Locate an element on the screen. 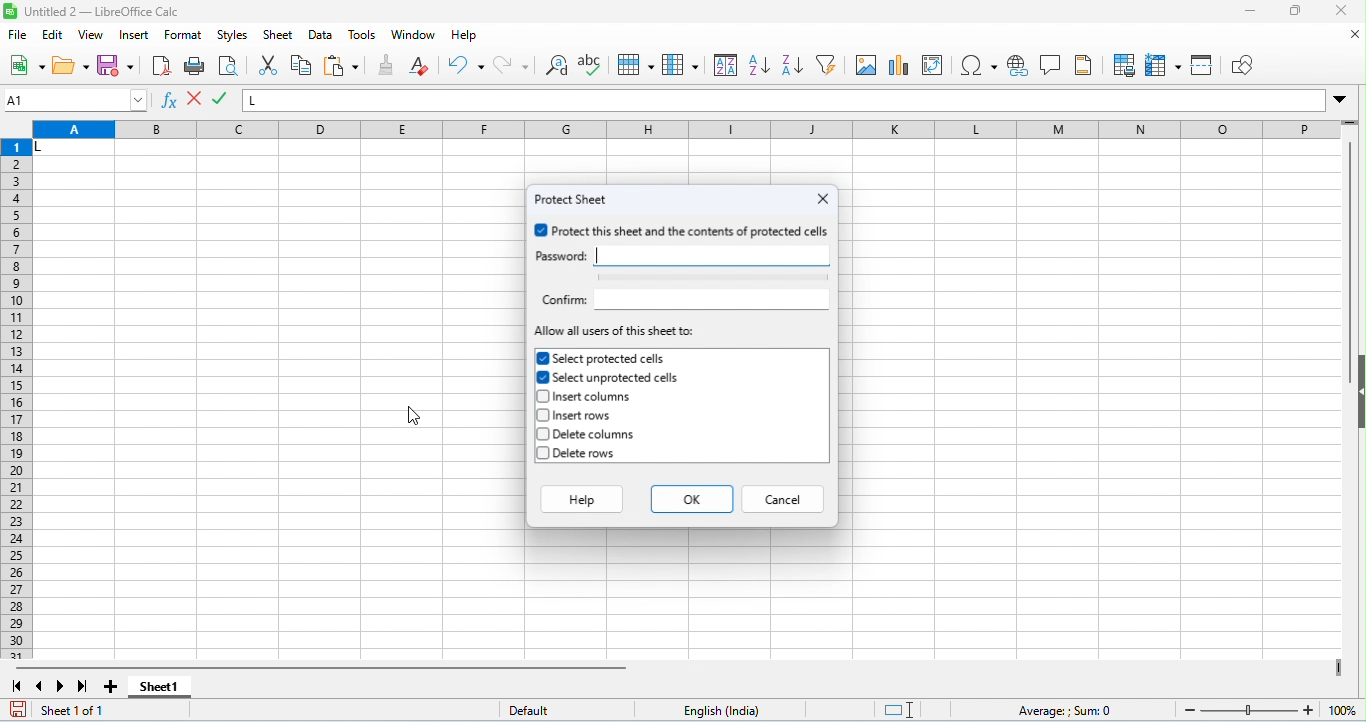 The height and width of the screenshot is (722, 1366). typing cursor is located at coordinates (598, 255).